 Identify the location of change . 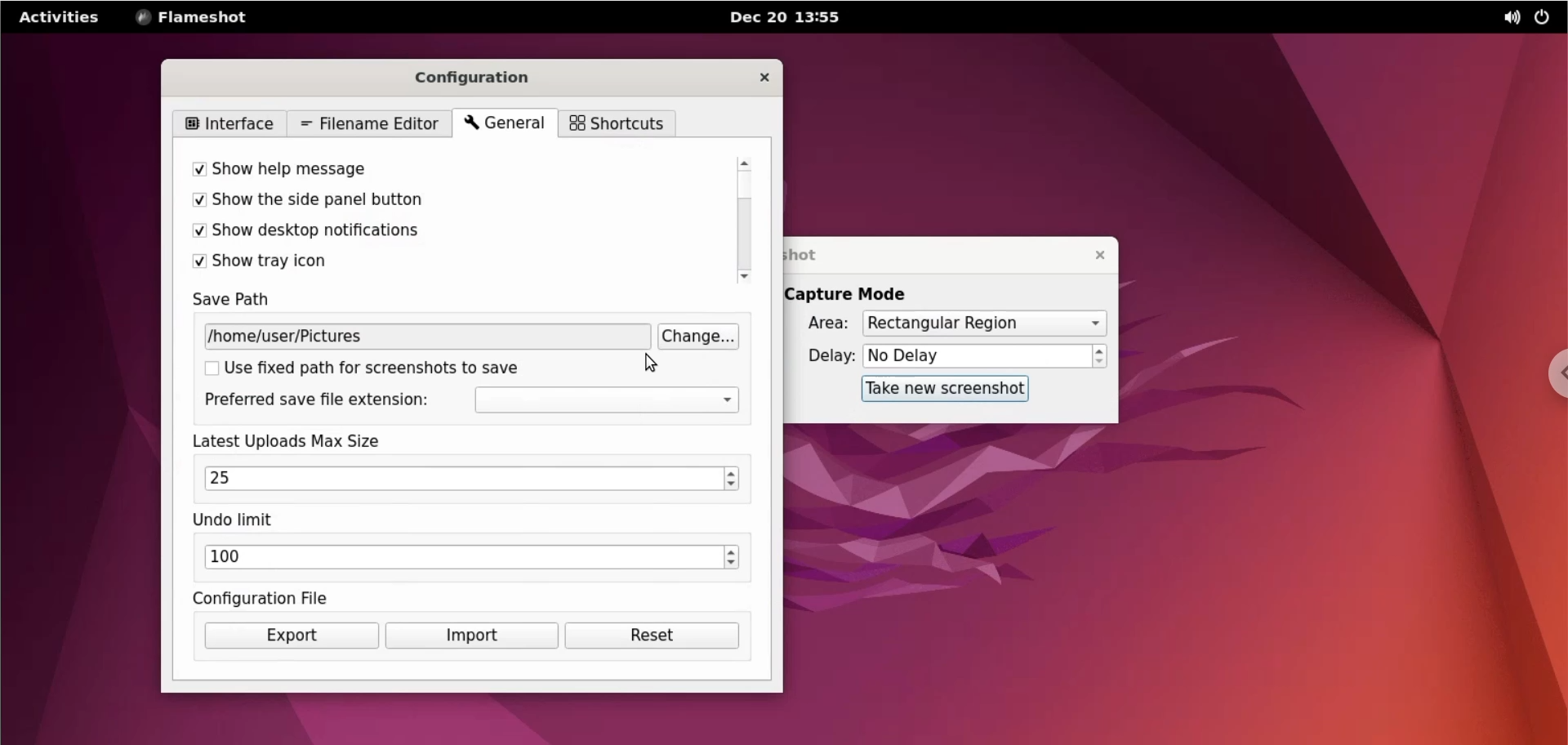
(698, 337).